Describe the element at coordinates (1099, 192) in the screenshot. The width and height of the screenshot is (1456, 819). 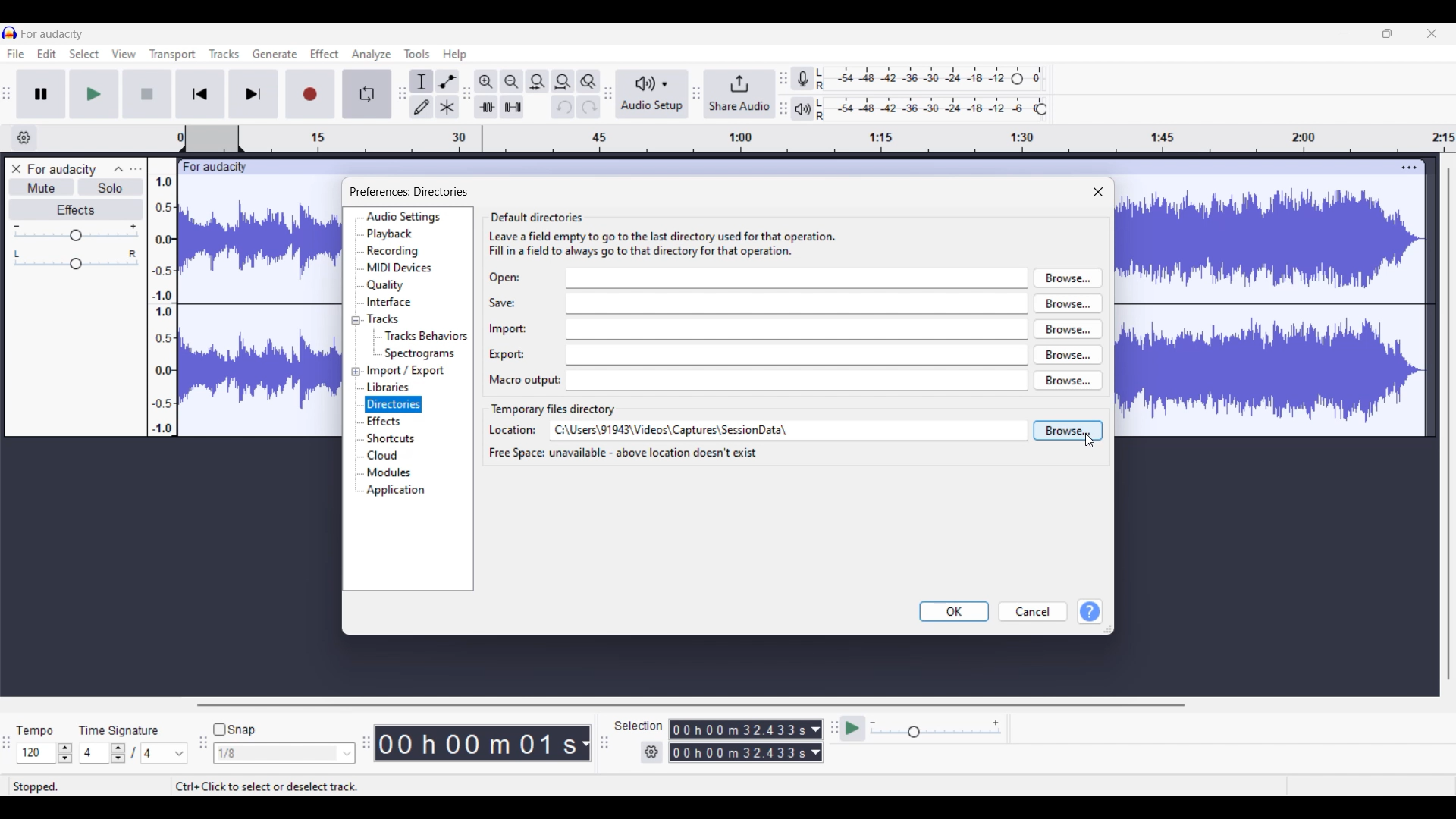
I see `Close` at that location.